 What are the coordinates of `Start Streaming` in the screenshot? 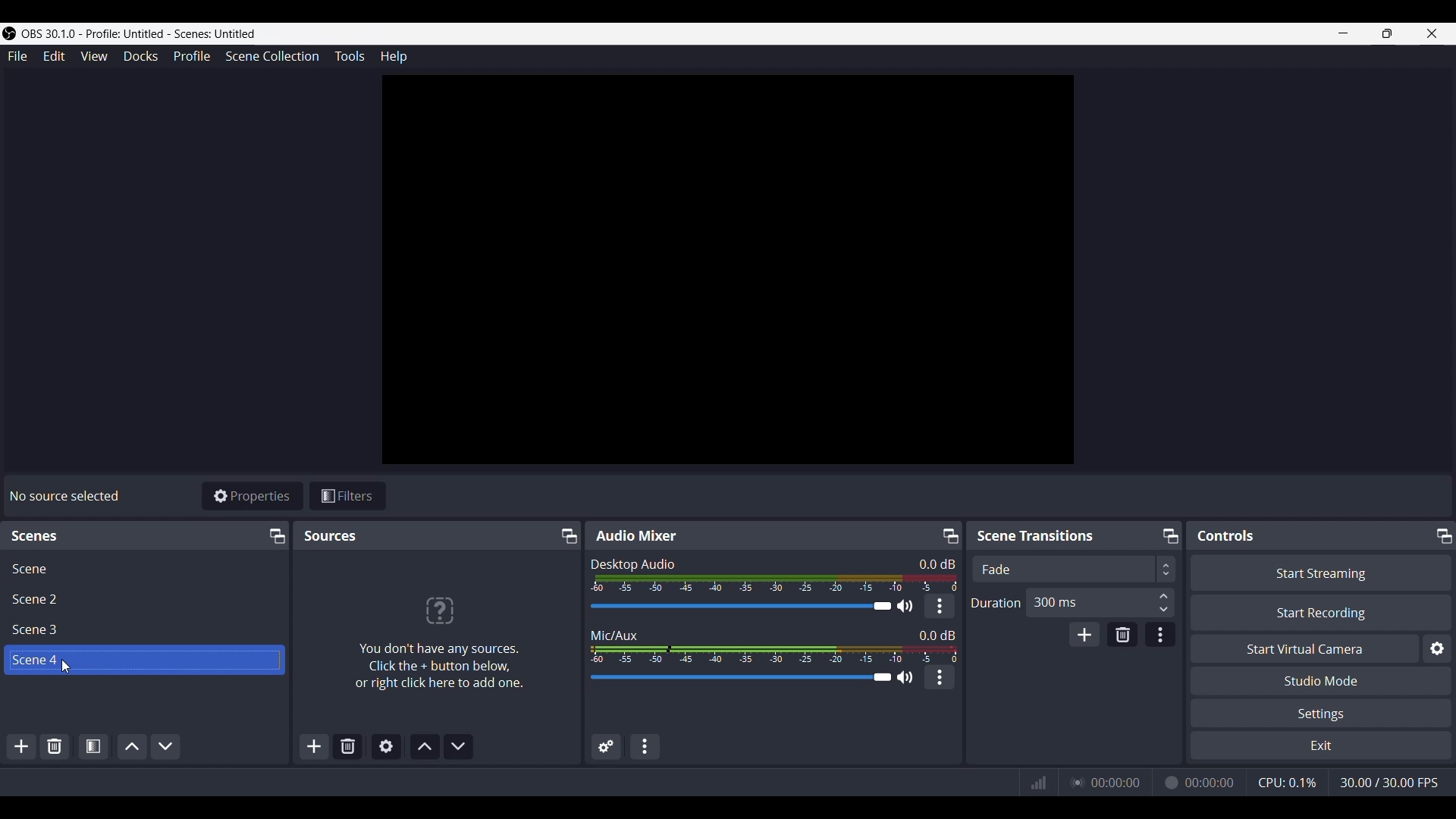 It's located at (1320, 573).